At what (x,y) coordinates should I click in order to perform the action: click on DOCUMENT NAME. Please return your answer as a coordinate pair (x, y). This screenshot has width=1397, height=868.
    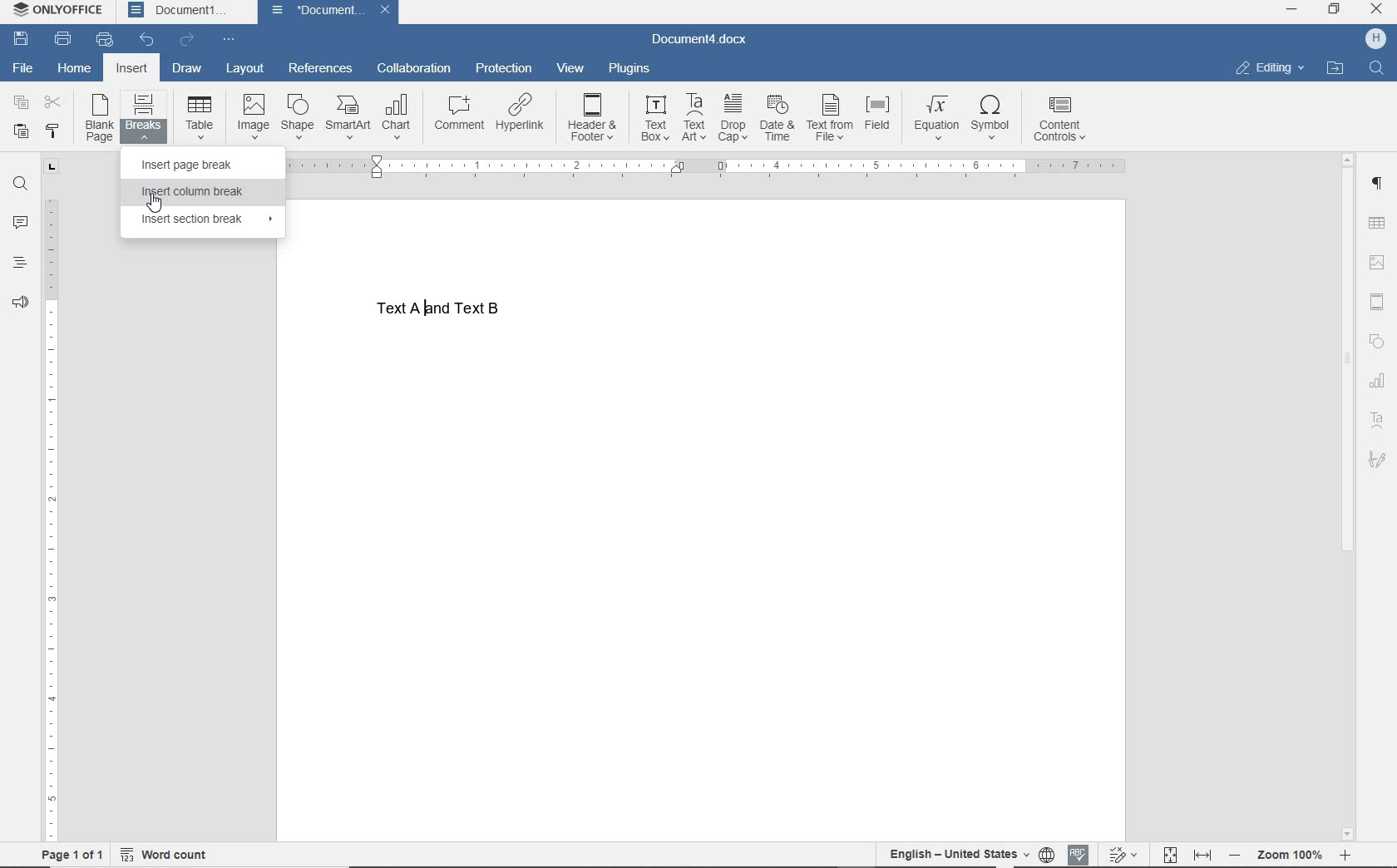
    Looking at the image, I should click on (699, 41).